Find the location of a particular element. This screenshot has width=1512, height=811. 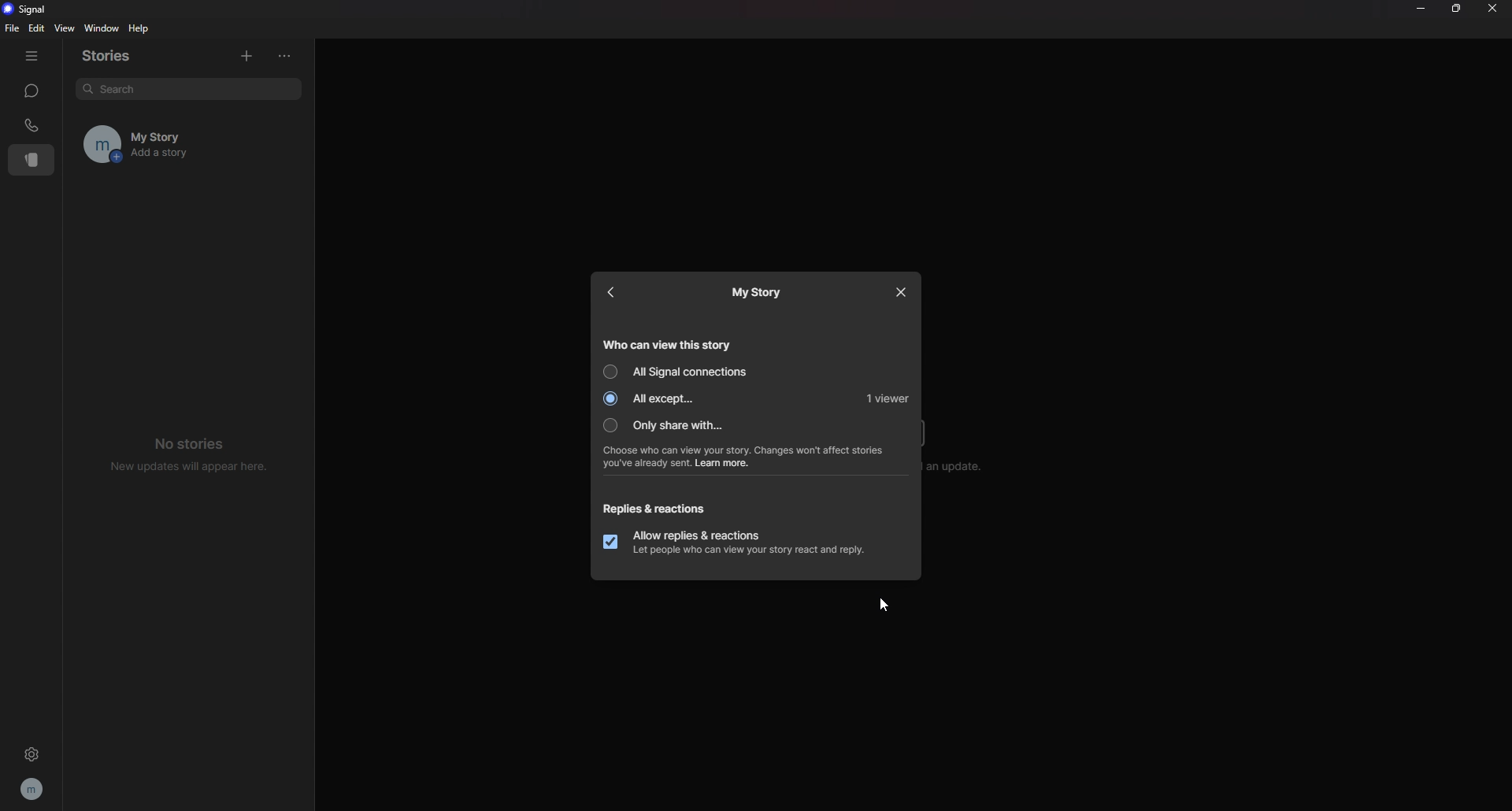

who can view this story is located at coordinates (668, 343).